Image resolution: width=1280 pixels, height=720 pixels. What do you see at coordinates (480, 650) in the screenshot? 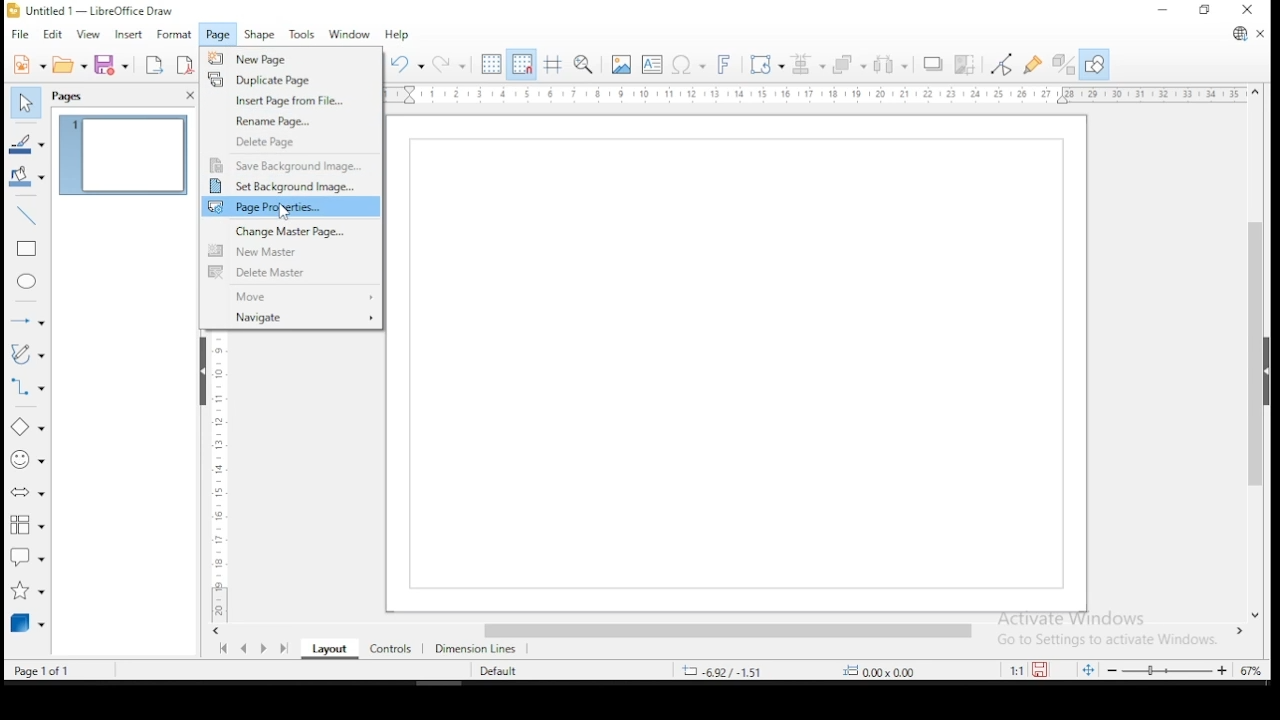
I see `dimension lines` at bounding box center [480, 650].